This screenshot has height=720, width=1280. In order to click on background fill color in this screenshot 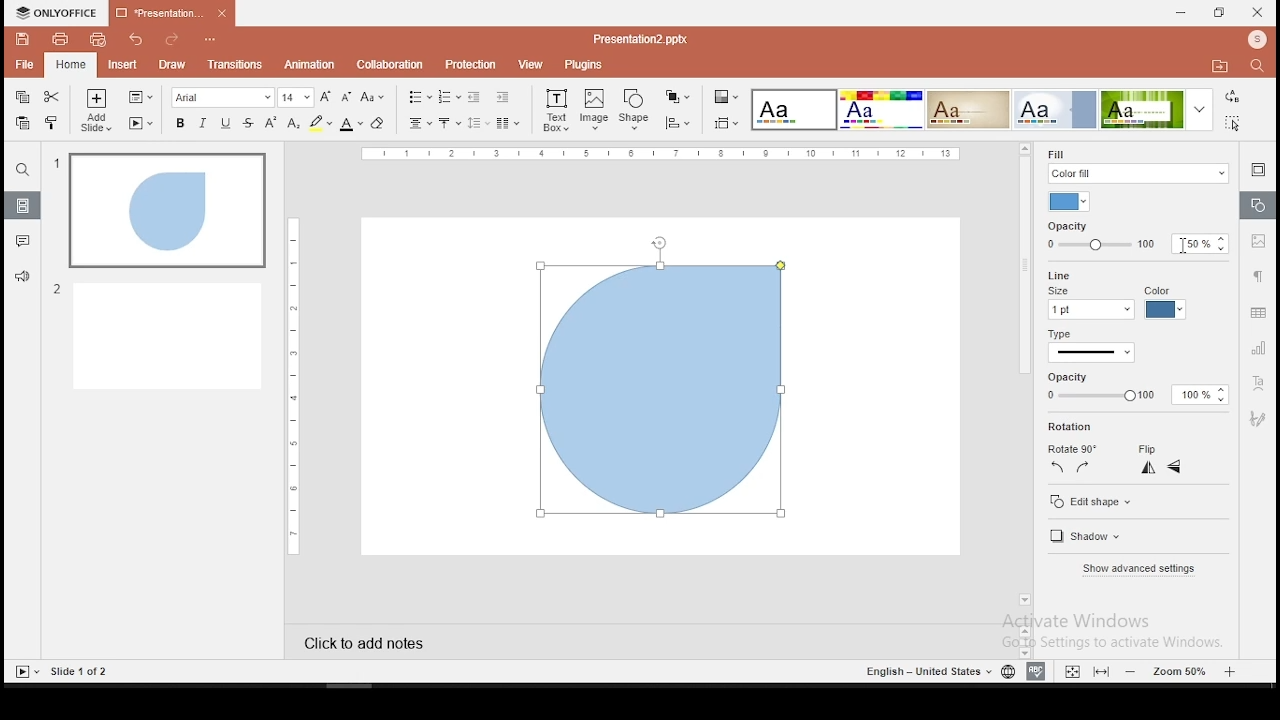, I will do `click(1071, 202)`.